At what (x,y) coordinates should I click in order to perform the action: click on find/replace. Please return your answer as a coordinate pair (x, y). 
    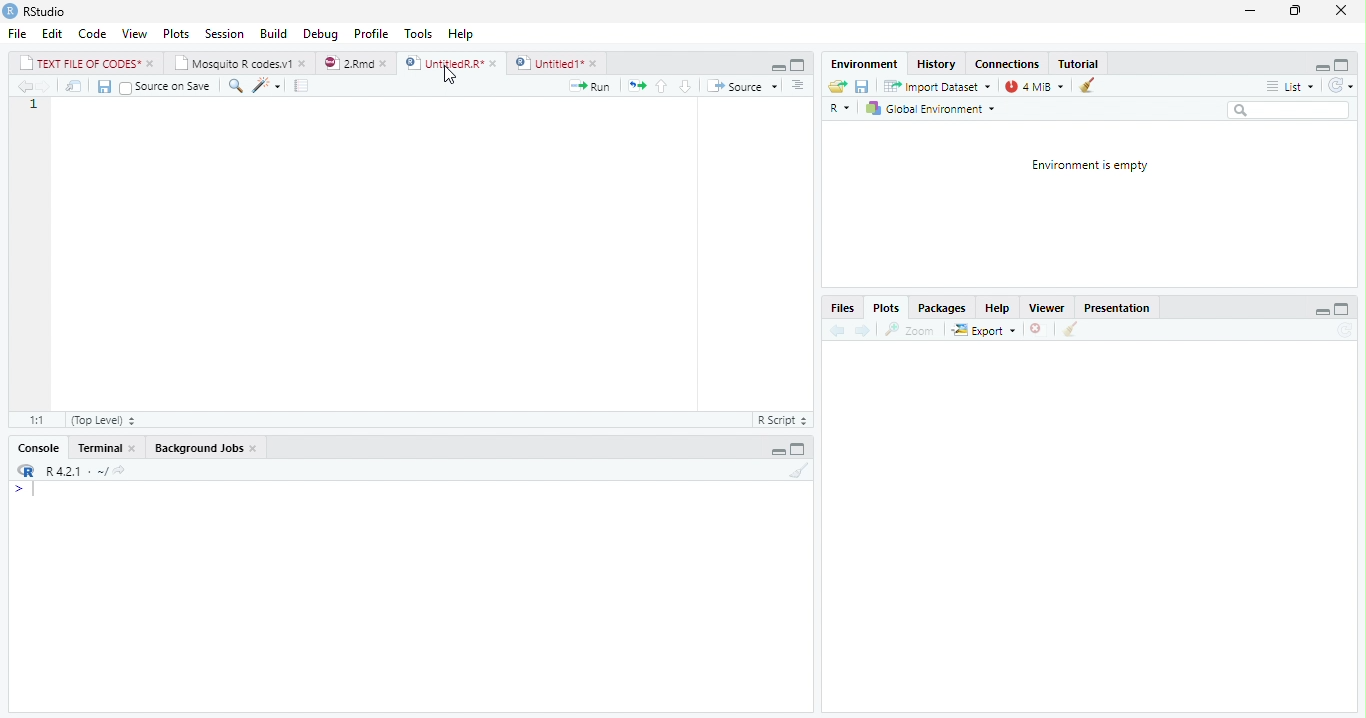
    Looking at the image, I should click on (235, 87).